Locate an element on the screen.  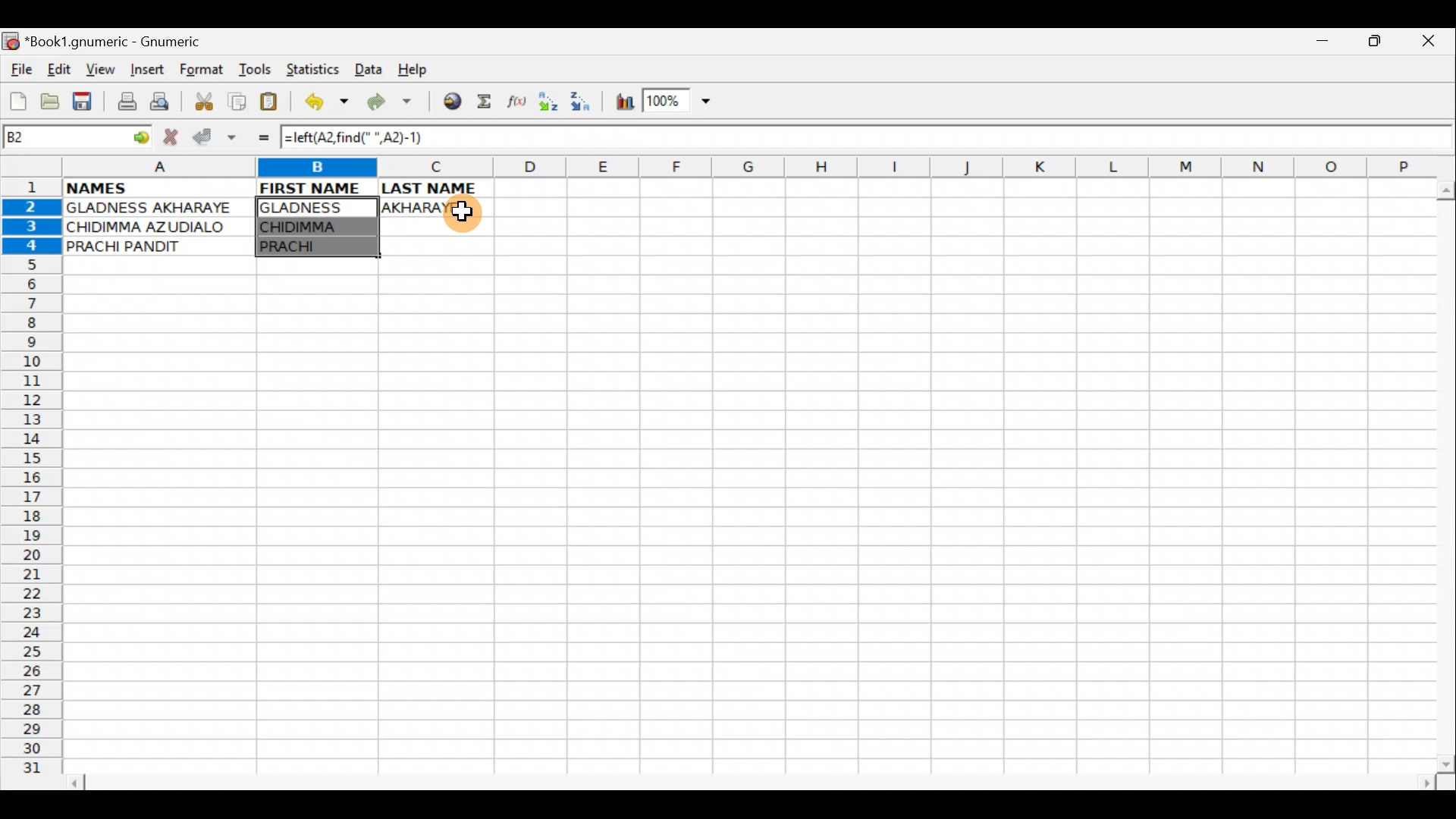
Sum in the current cell is located at coordinates (489, 102).